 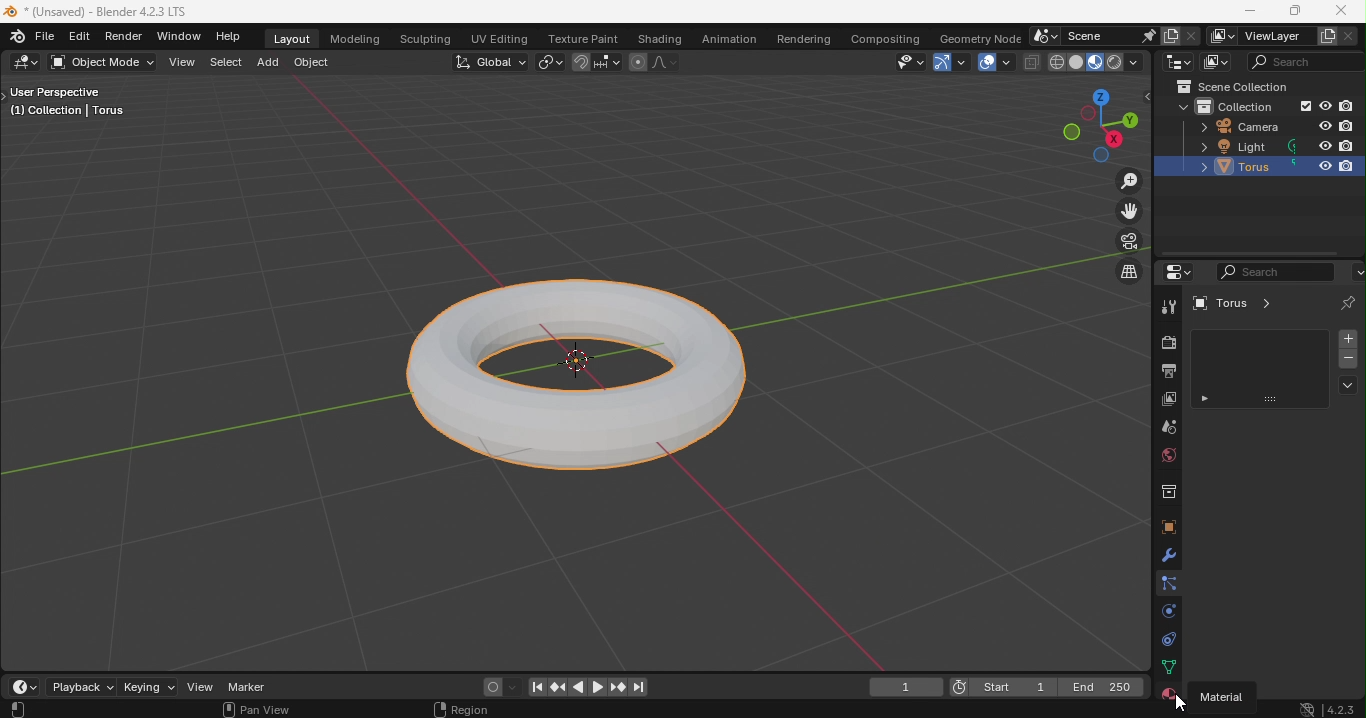 What do you see at coordinates (1216, 167) in the screenshot?
I see `Torus` at bounding box center [1216, 167].